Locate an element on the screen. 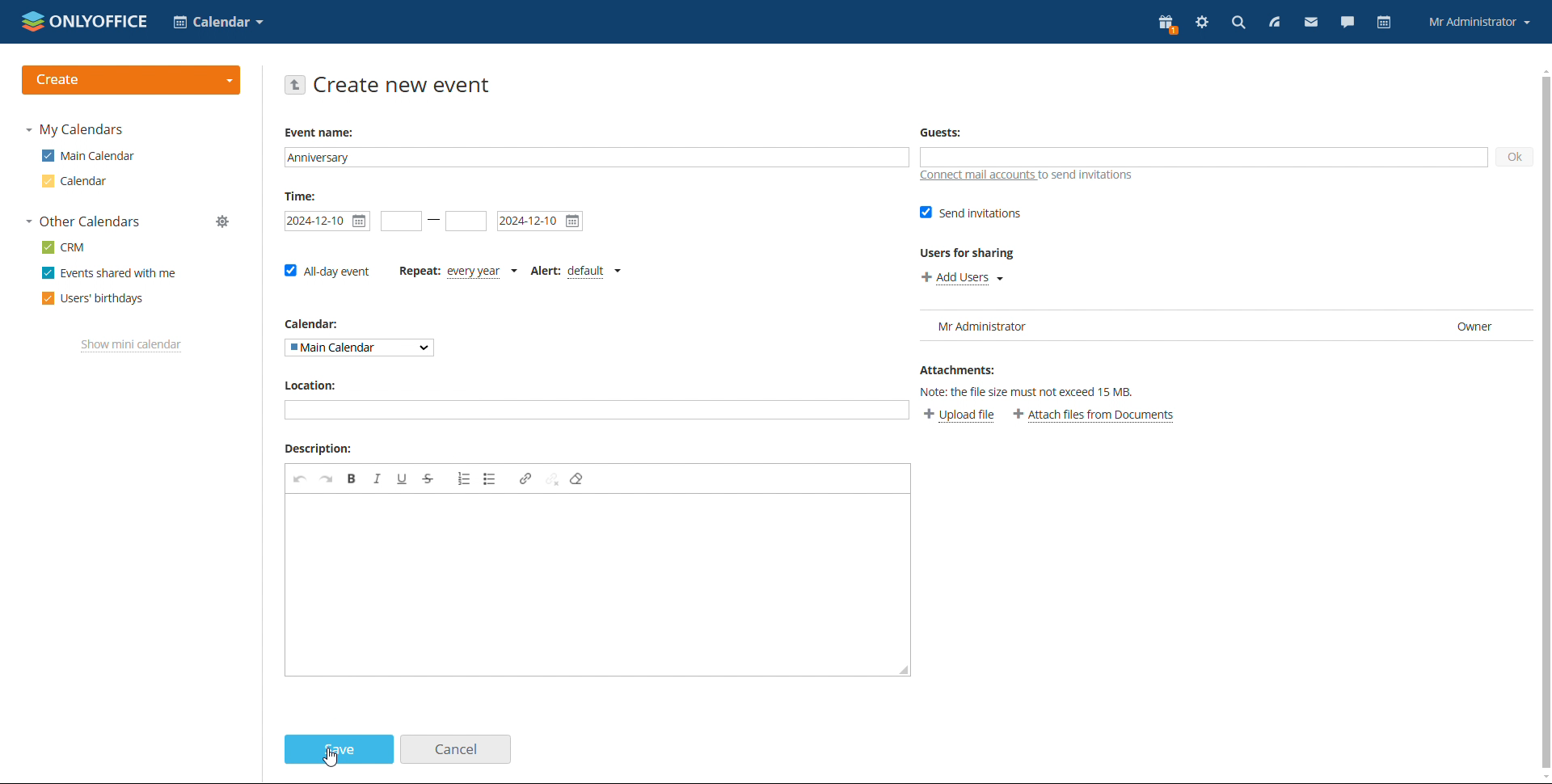 The height and width of the screenshot is (784, 1552). insert/remove numbered list is located at coordinates (465, 478).